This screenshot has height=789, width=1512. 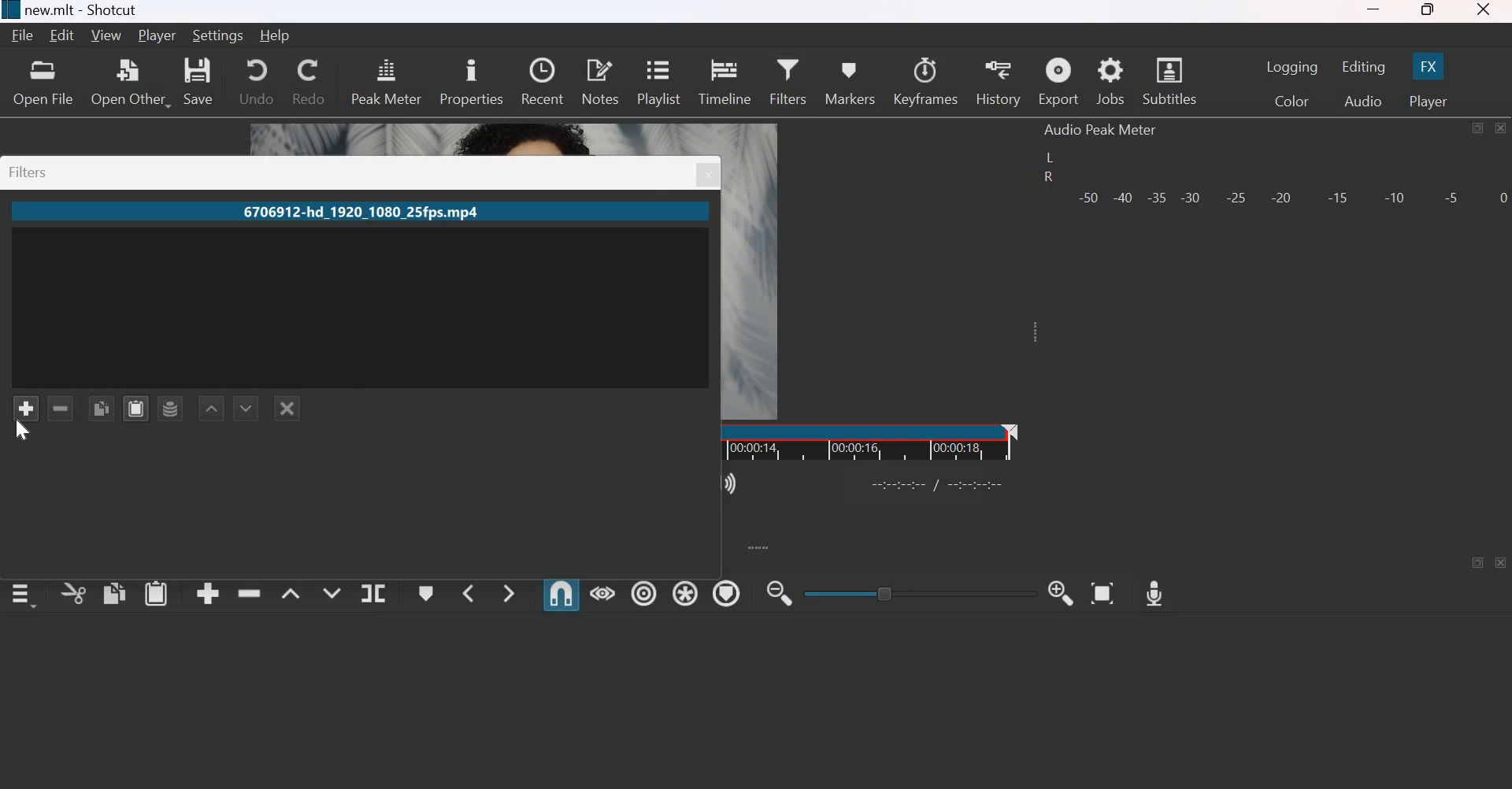 I want to click on Editing, so click(x=1366, y=67).